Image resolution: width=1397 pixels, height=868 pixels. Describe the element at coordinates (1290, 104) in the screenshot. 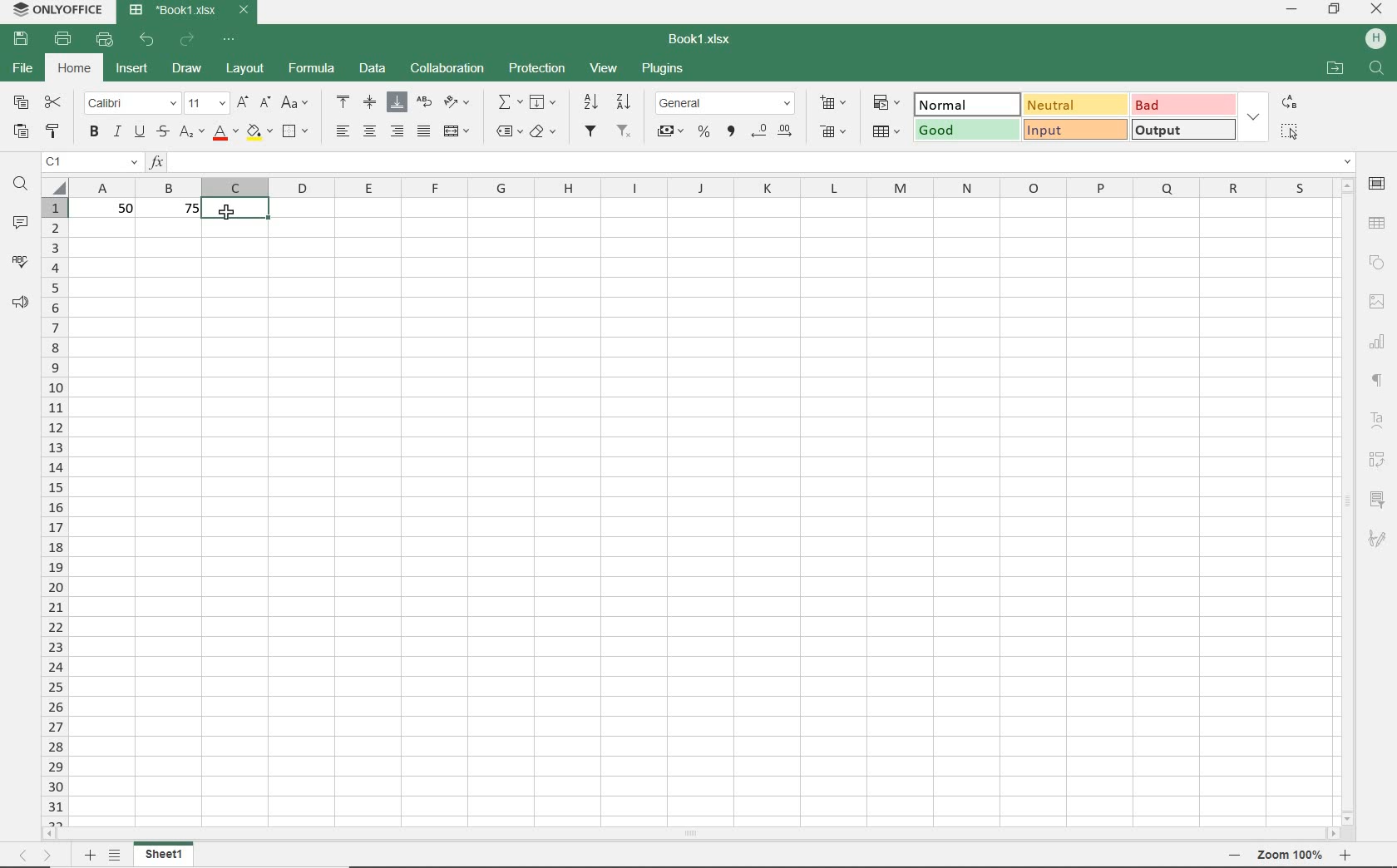

I see `replace` at that location.